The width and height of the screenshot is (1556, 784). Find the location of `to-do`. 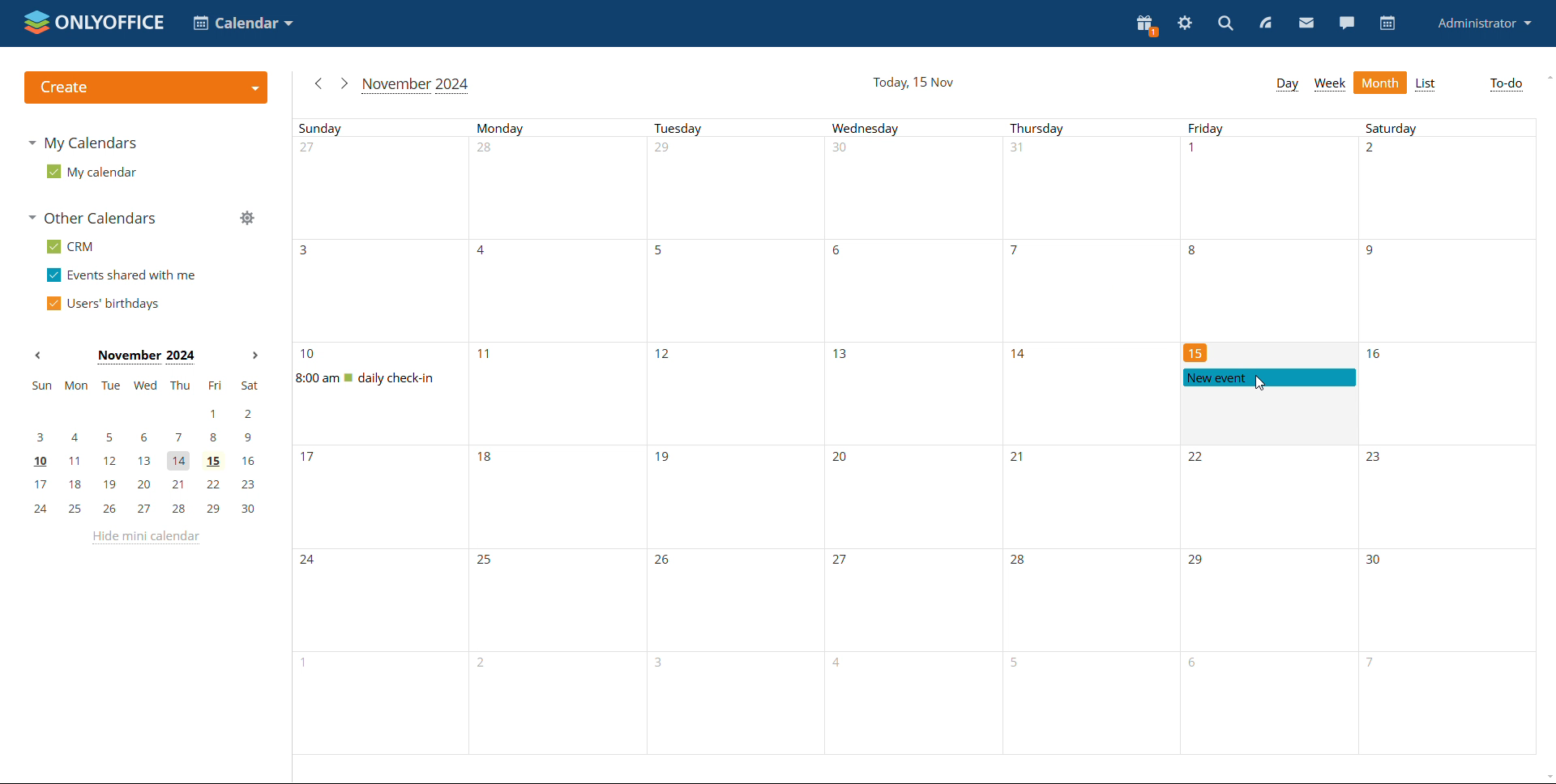

to-do is located at coordinates (1505, 85).